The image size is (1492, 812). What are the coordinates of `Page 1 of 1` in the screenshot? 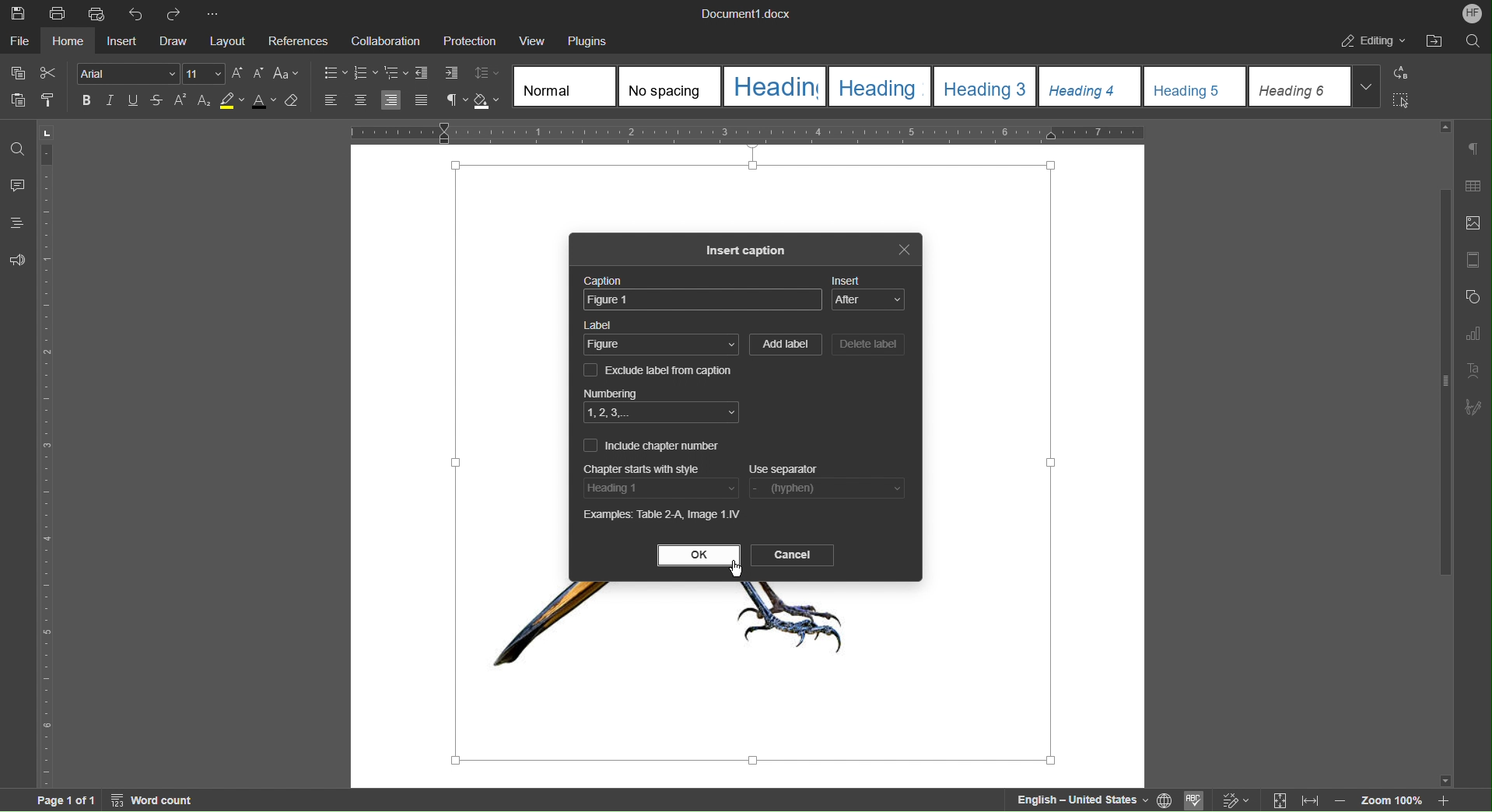 It's located at (54, 800).